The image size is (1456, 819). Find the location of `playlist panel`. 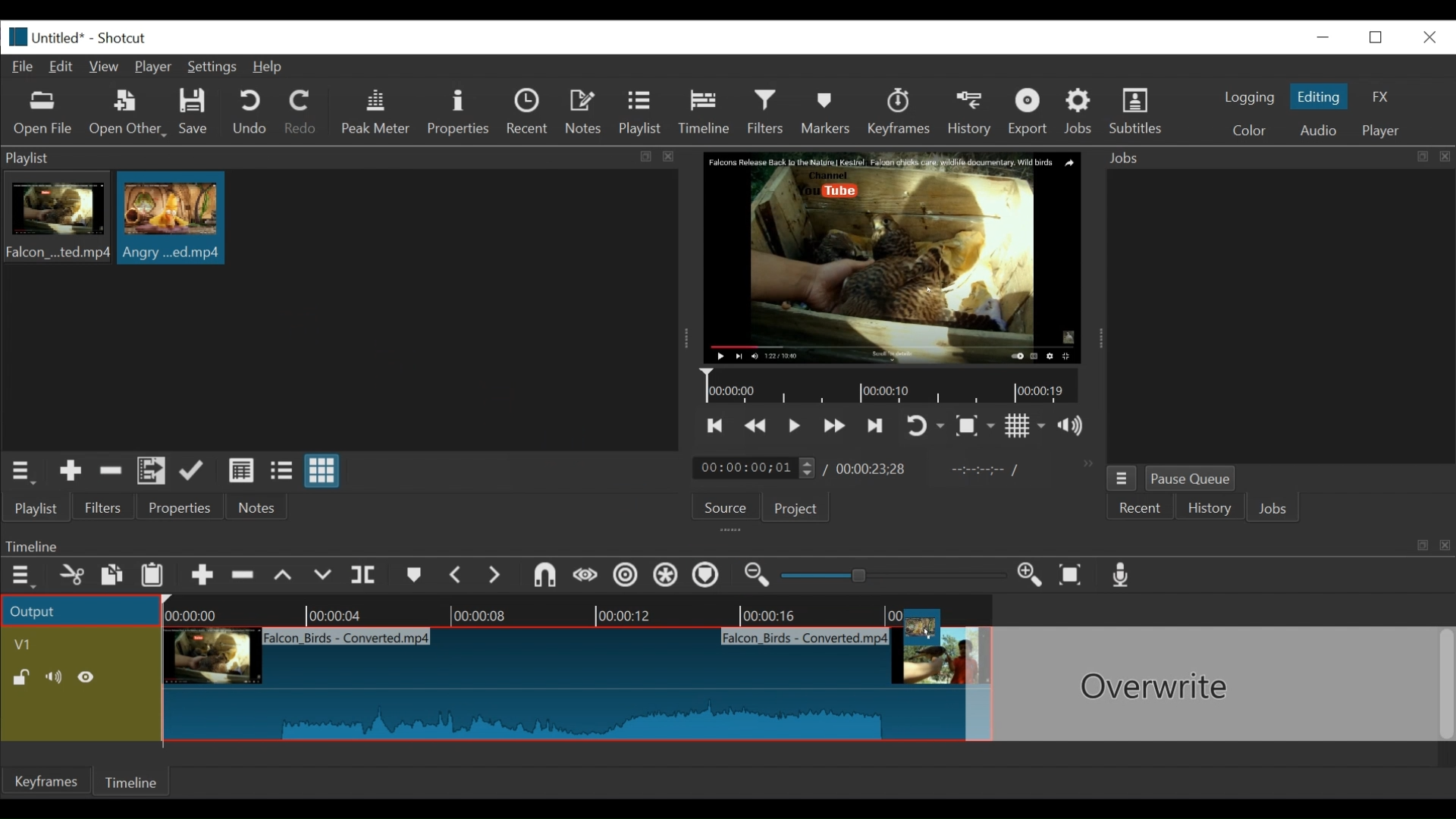

playlist panel is located at coordinates (334, 158).